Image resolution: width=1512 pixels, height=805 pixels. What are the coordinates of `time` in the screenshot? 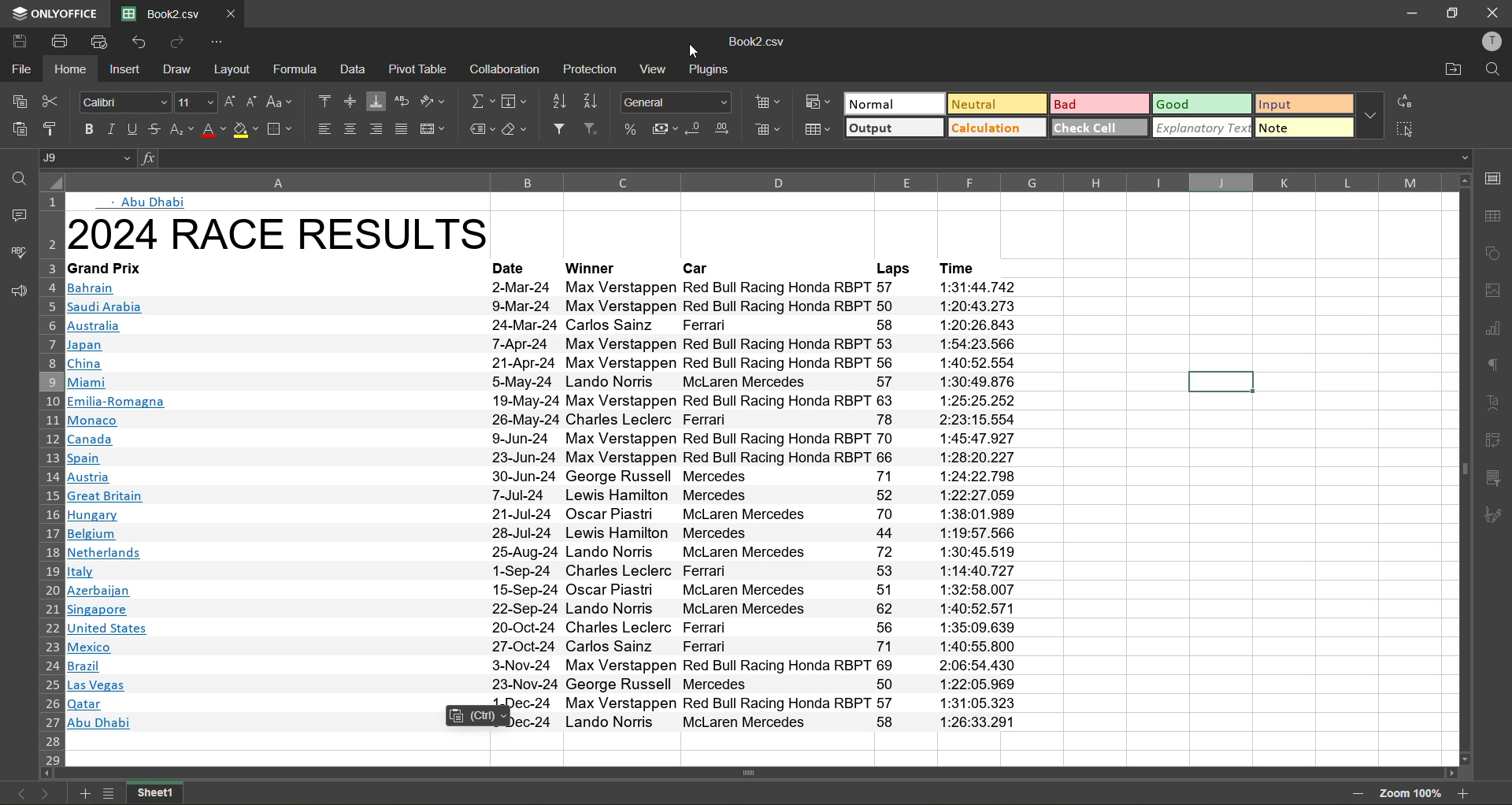 It's located at (969, 268).